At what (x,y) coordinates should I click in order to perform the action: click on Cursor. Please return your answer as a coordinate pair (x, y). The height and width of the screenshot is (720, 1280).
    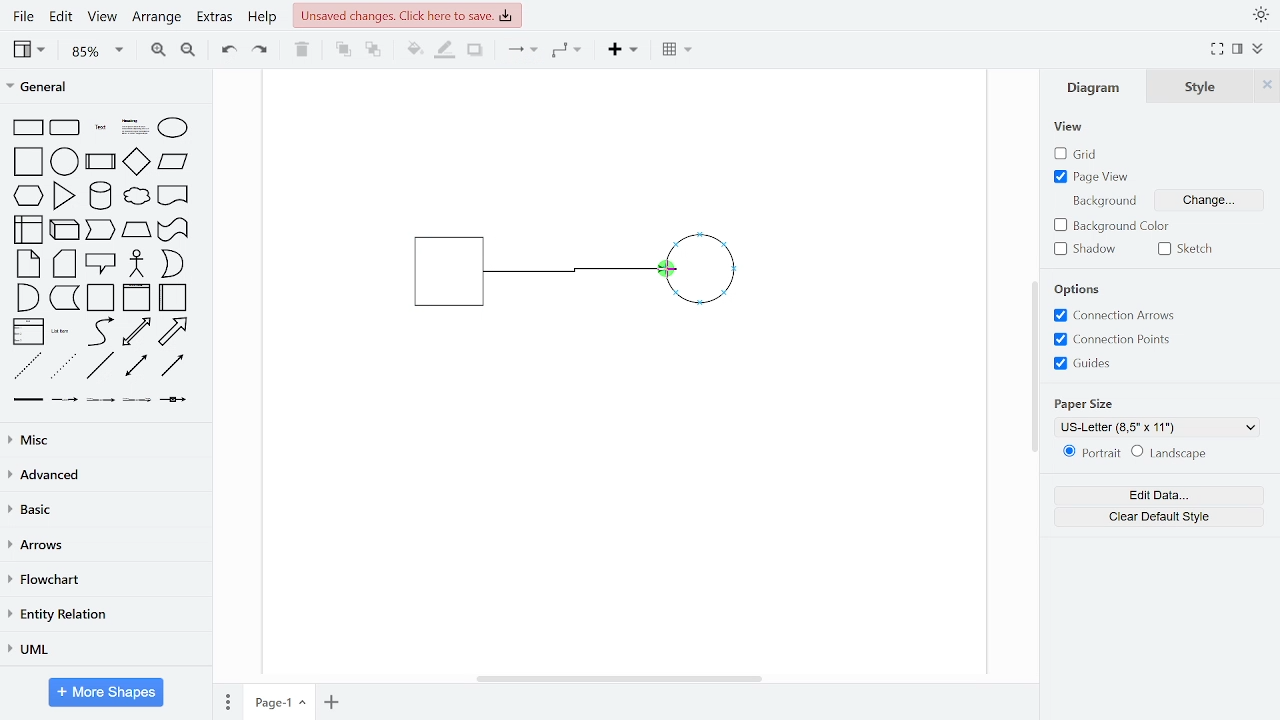
    Looking at the image, I should click on (667, 272).